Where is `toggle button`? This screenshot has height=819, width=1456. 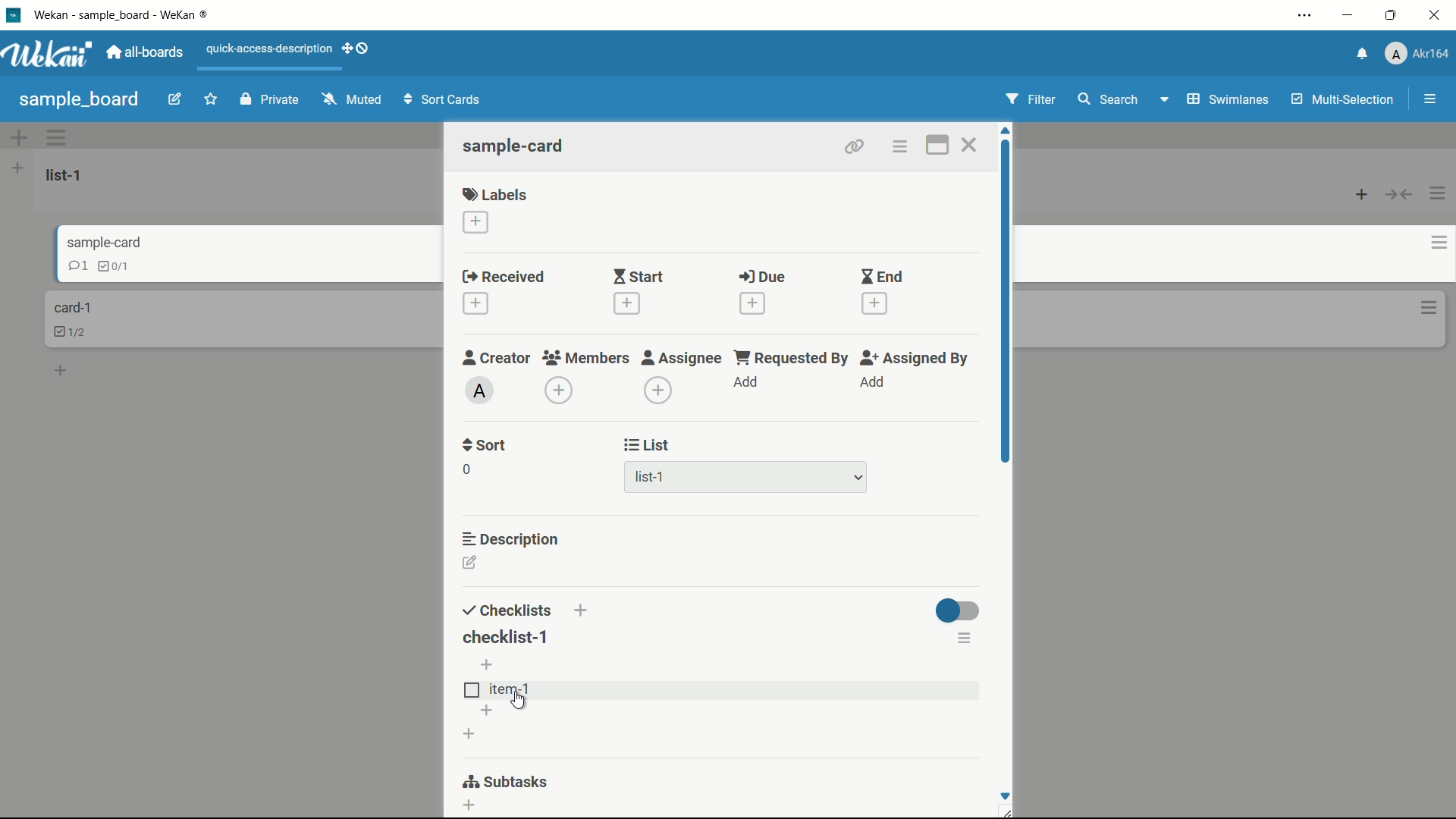 toggle button is located at coordinates (956, 610).